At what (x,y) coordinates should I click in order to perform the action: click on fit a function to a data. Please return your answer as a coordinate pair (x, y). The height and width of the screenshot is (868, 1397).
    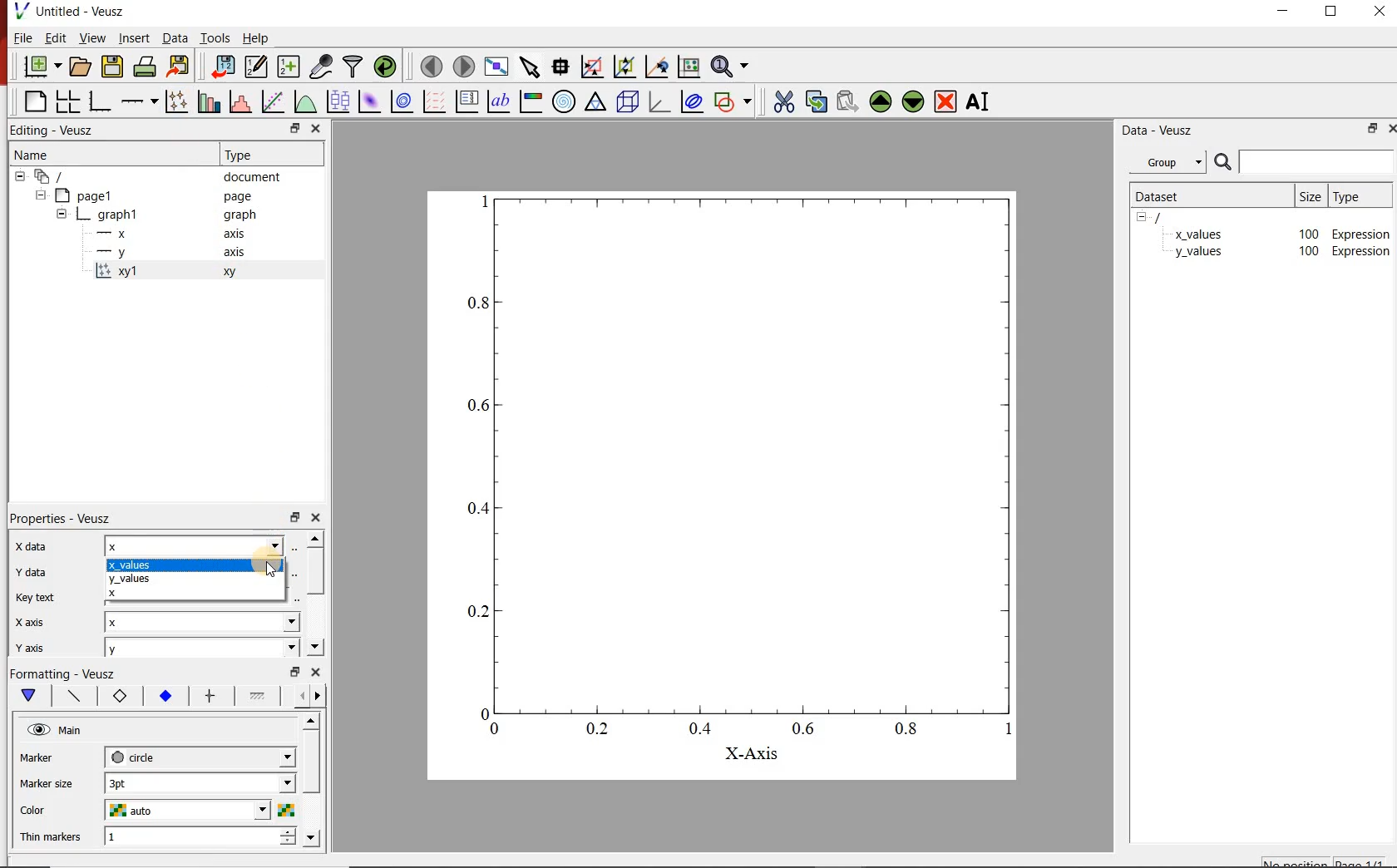
    Looking at the image, I should click on (273, 101).